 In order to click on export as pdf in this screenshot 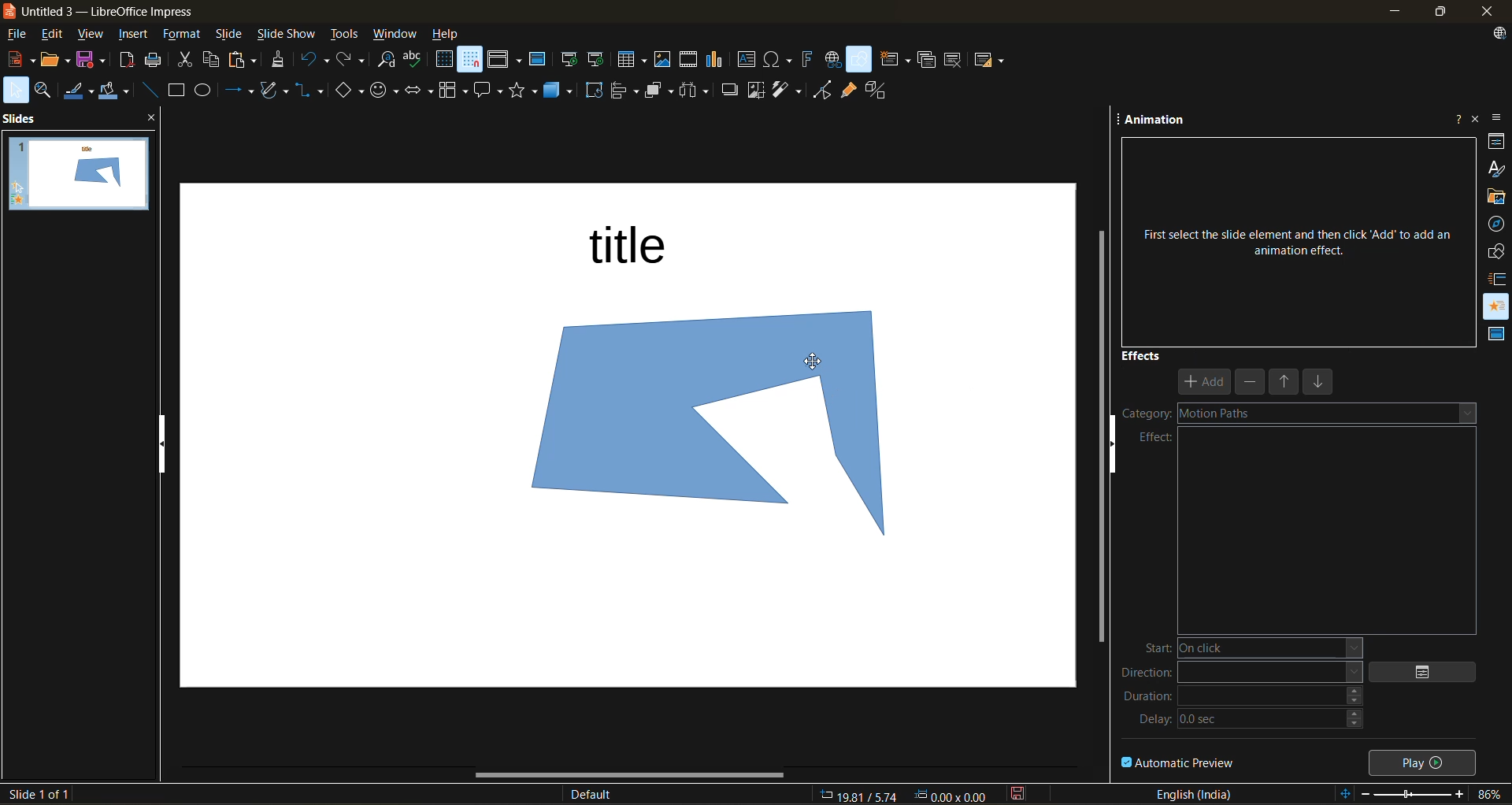, I will do `click(125, 59)`.